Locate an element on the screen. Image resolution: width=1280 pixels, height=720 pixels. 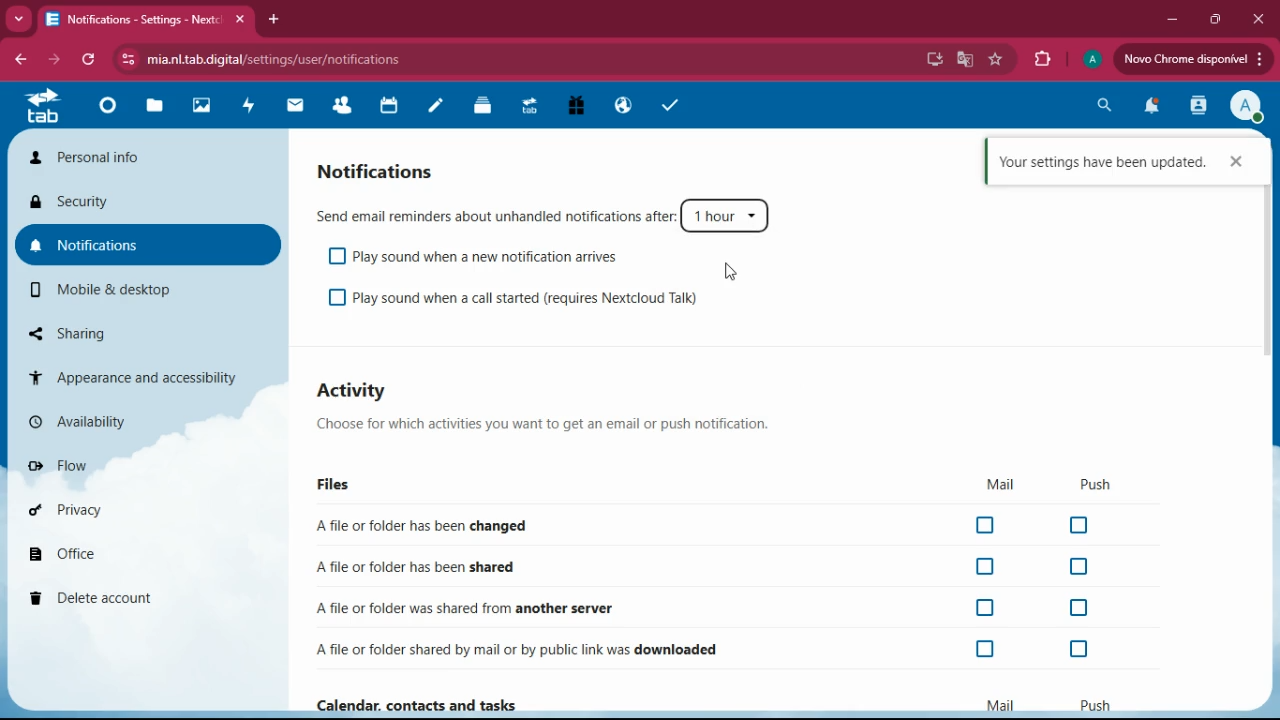
off is located at coordinates (986, 526).